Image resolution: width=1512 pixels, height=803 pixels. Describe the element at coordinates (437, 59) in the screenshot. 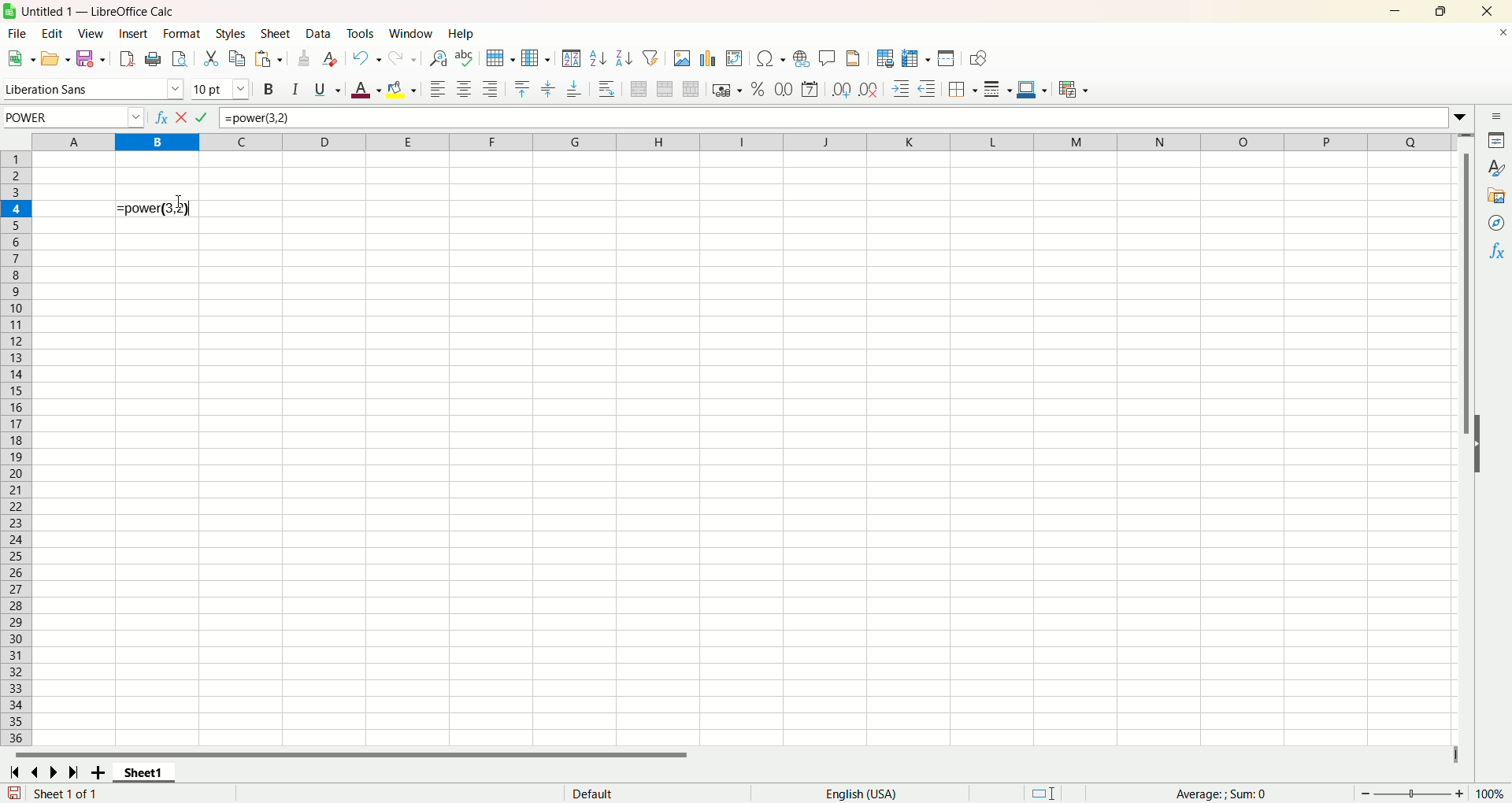

I see `find and replace` at that location.